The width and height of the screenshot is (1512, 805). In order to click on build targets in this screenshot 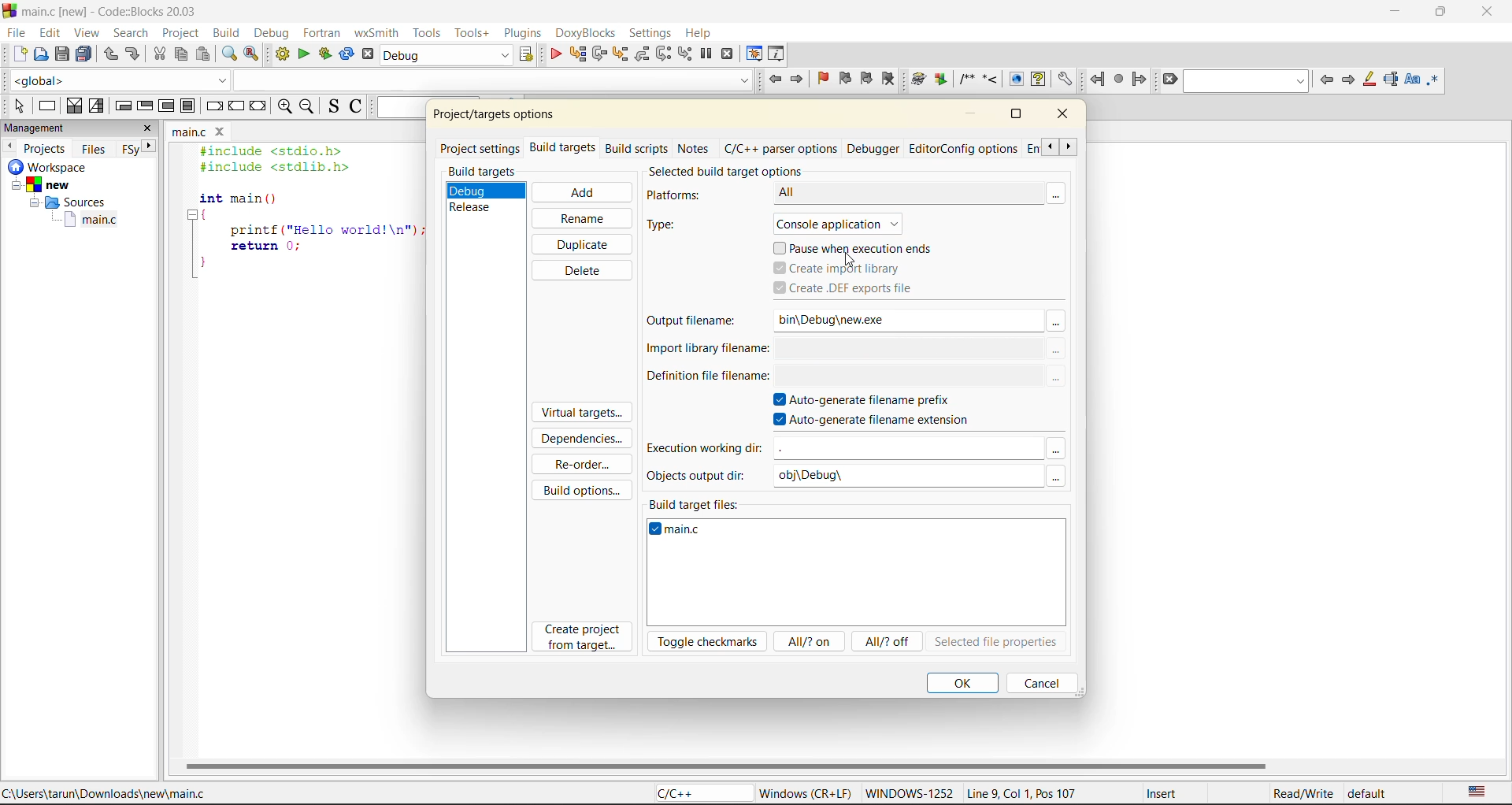, I will do `click(565, 150)`.